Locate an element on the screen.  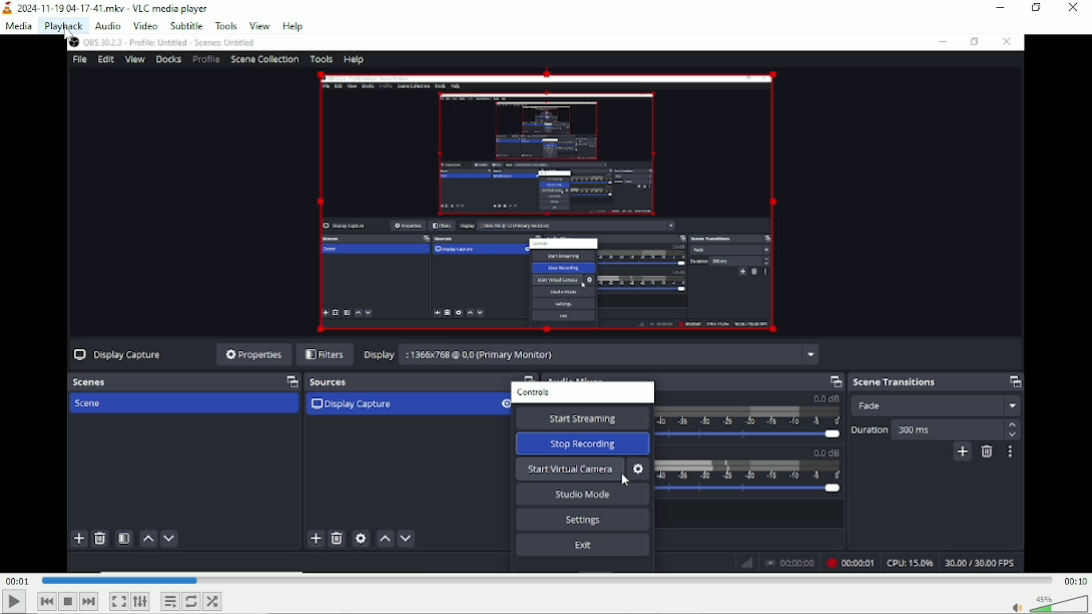
Restore down is located at coordinates (1036, 8).